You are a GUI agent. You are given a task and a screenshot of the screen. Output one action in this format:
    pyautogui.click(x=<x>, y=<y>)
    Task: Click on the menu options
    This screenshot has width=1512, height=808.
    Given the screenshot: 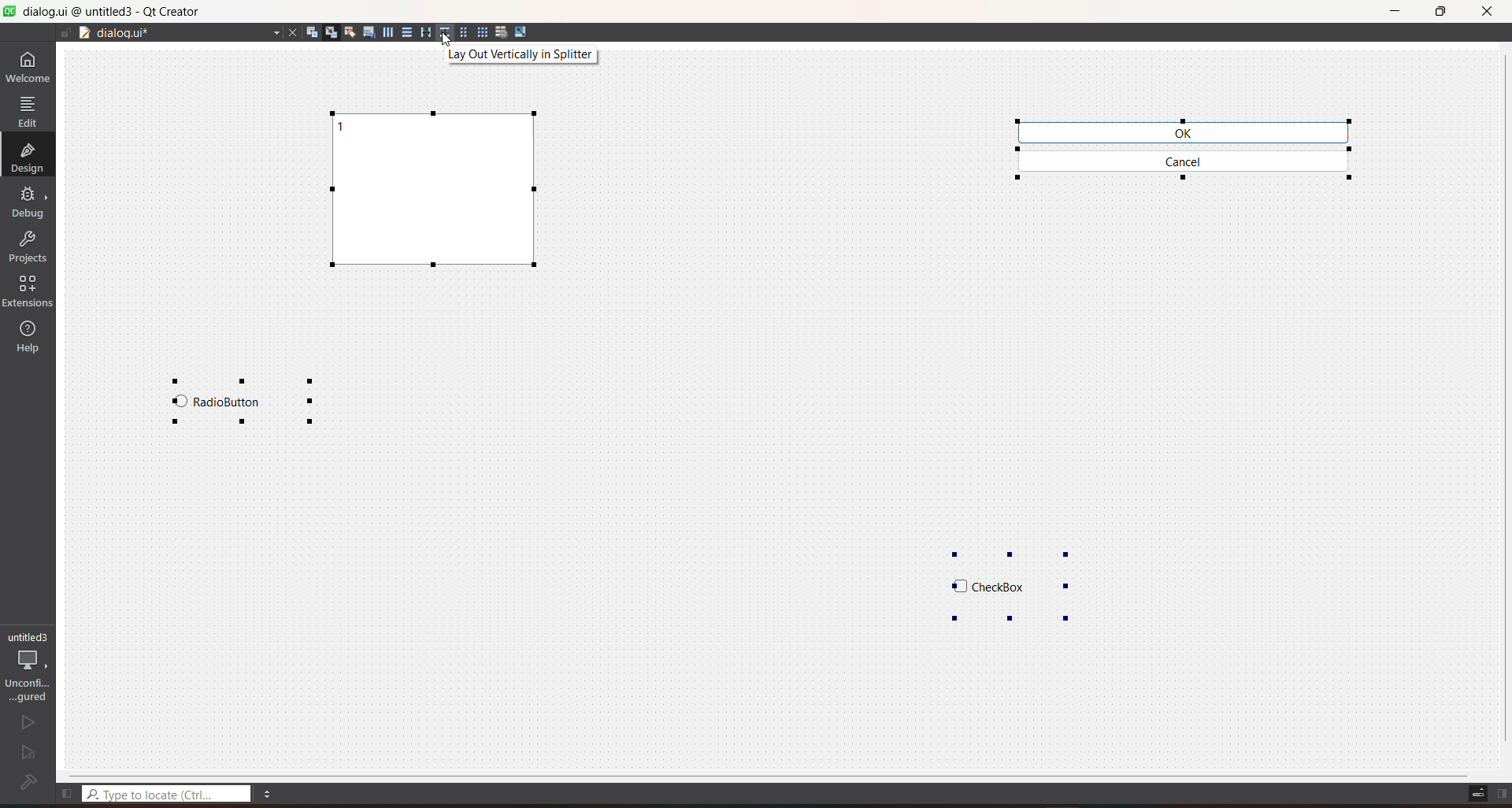 What is the action you would take?
    pyautogui.click(x=272, y=795)
    